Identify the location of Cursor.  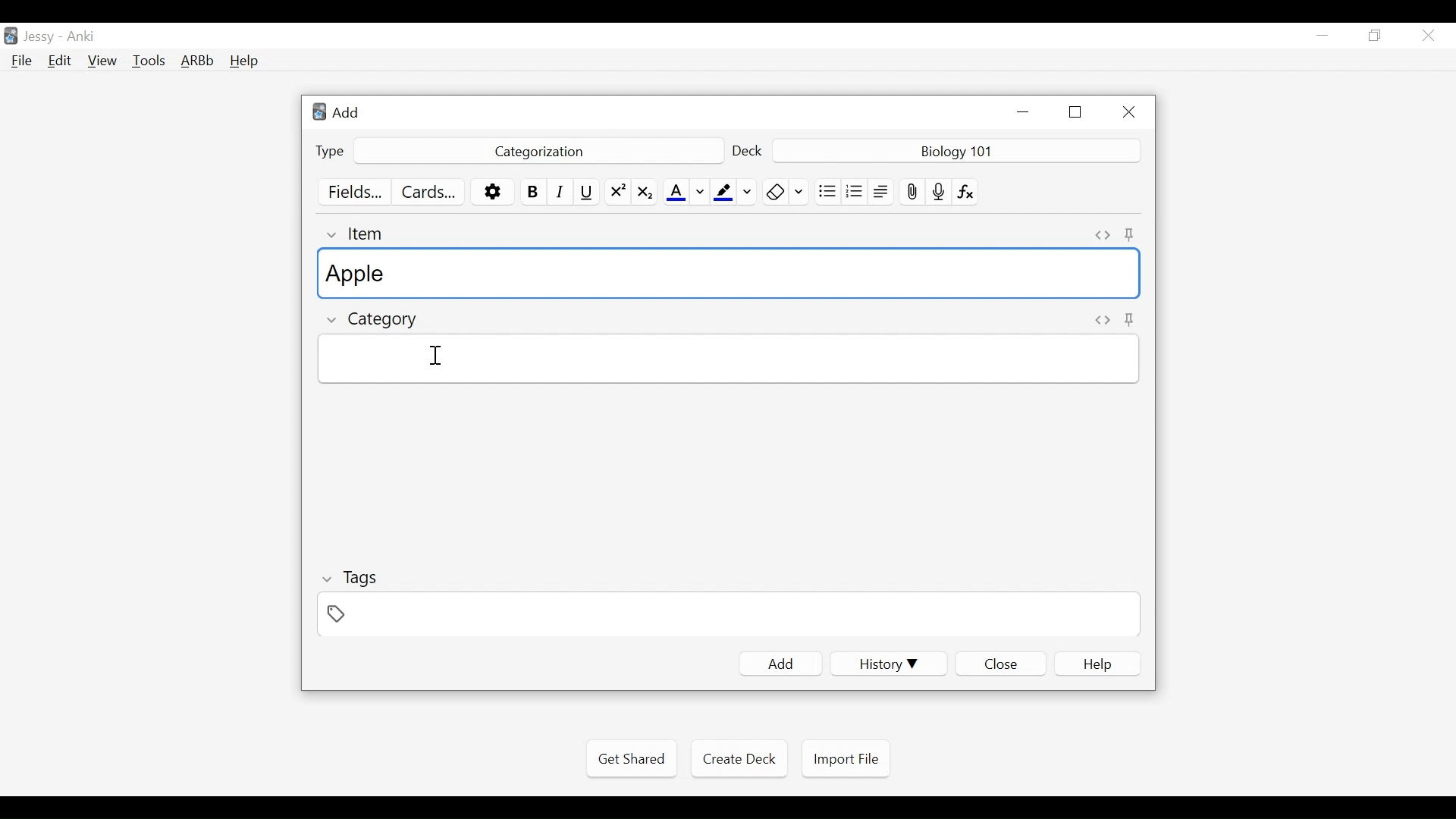
(435, 355).